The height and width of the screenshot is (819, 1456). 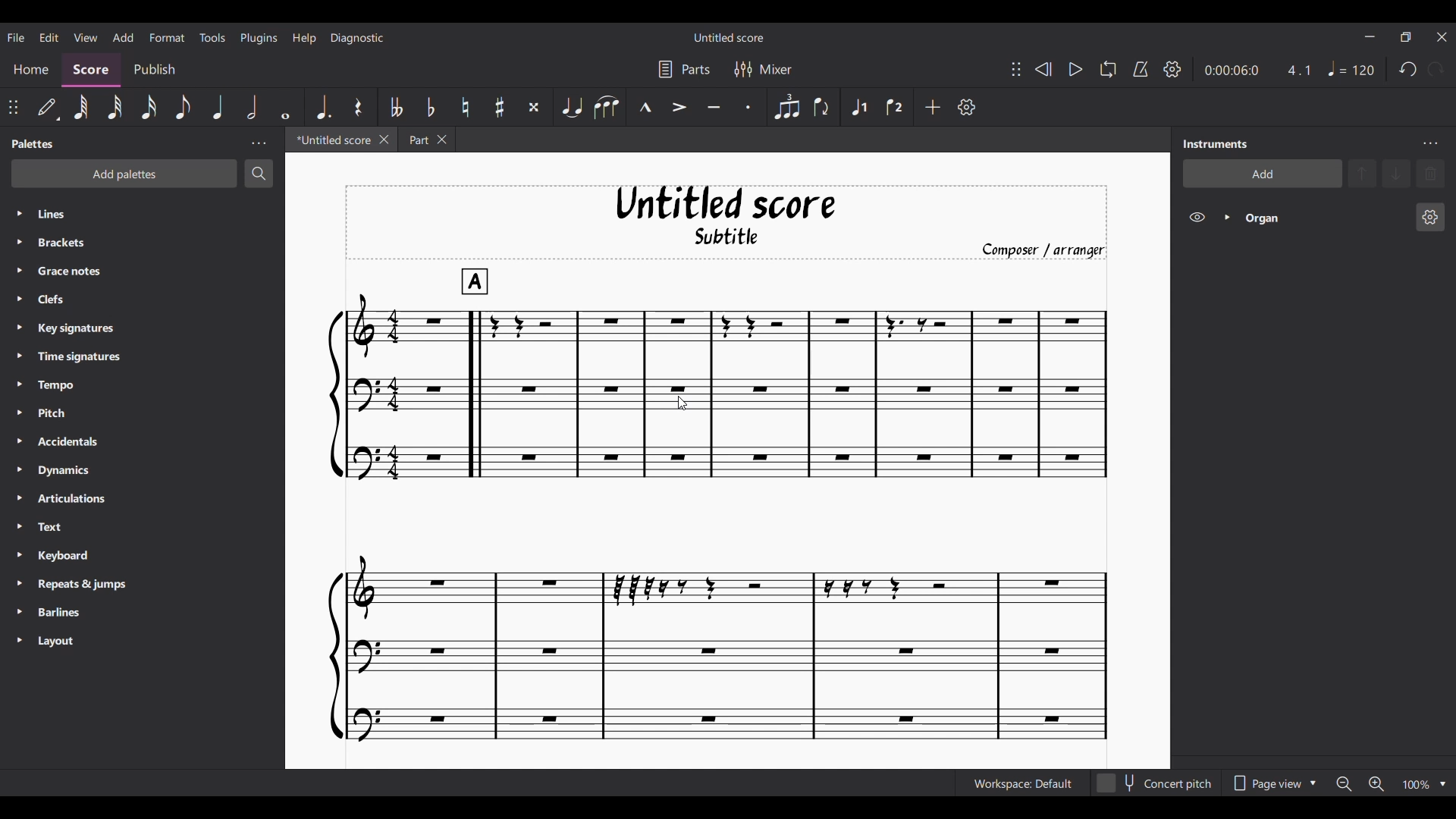 I want to click on Toggle double sharp, so click(x=534, y=107).